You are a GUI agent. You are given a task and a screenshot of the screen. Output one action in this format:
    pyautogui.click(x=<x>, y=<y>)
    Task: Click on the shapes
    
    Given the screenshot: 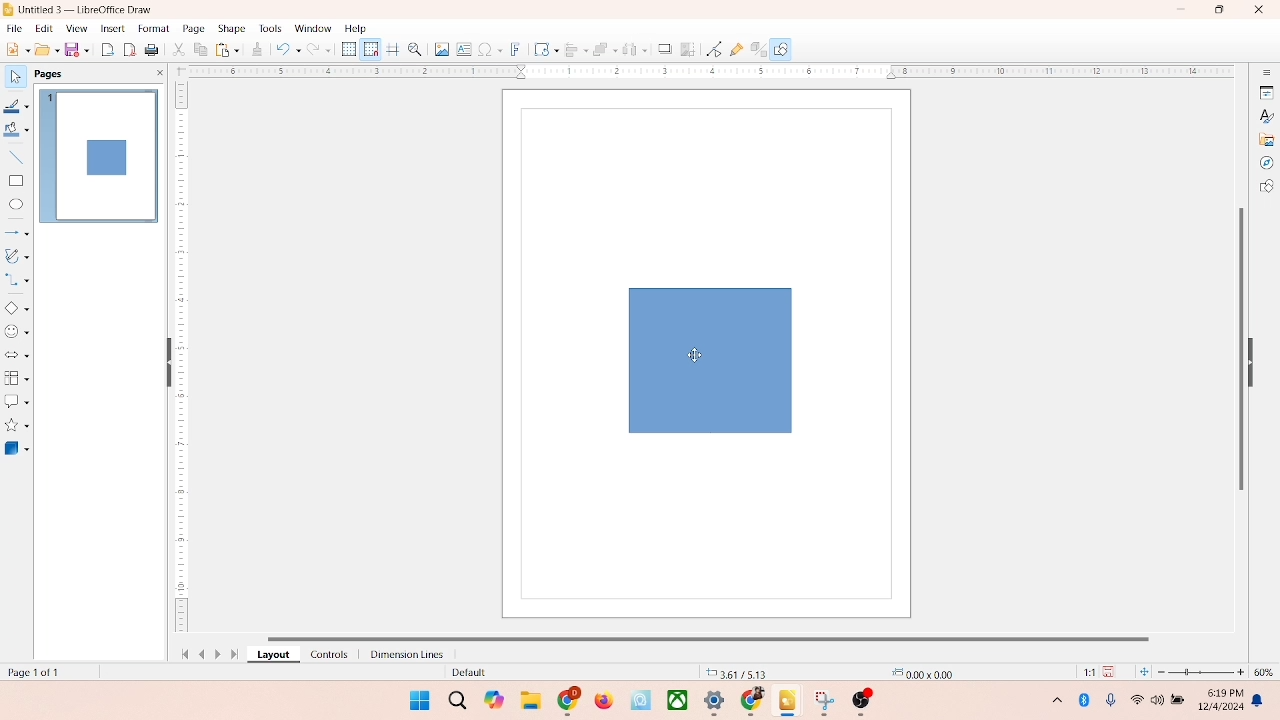 What is the action you would take?
    pyautogui.click(x=1266, y=188)
    